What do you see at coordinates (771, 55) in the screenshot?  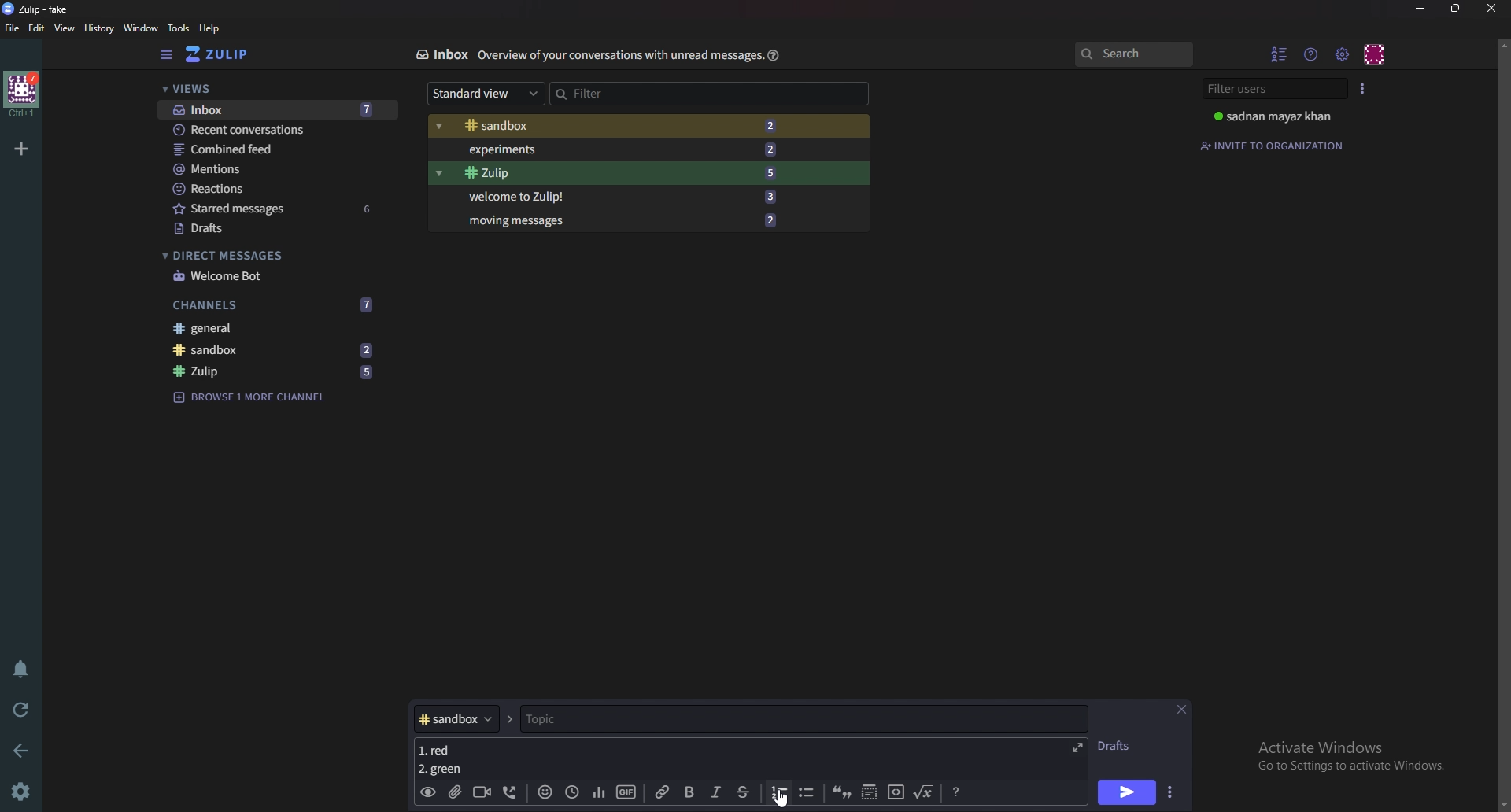 I see `Help` at bounding box center [771, 55].